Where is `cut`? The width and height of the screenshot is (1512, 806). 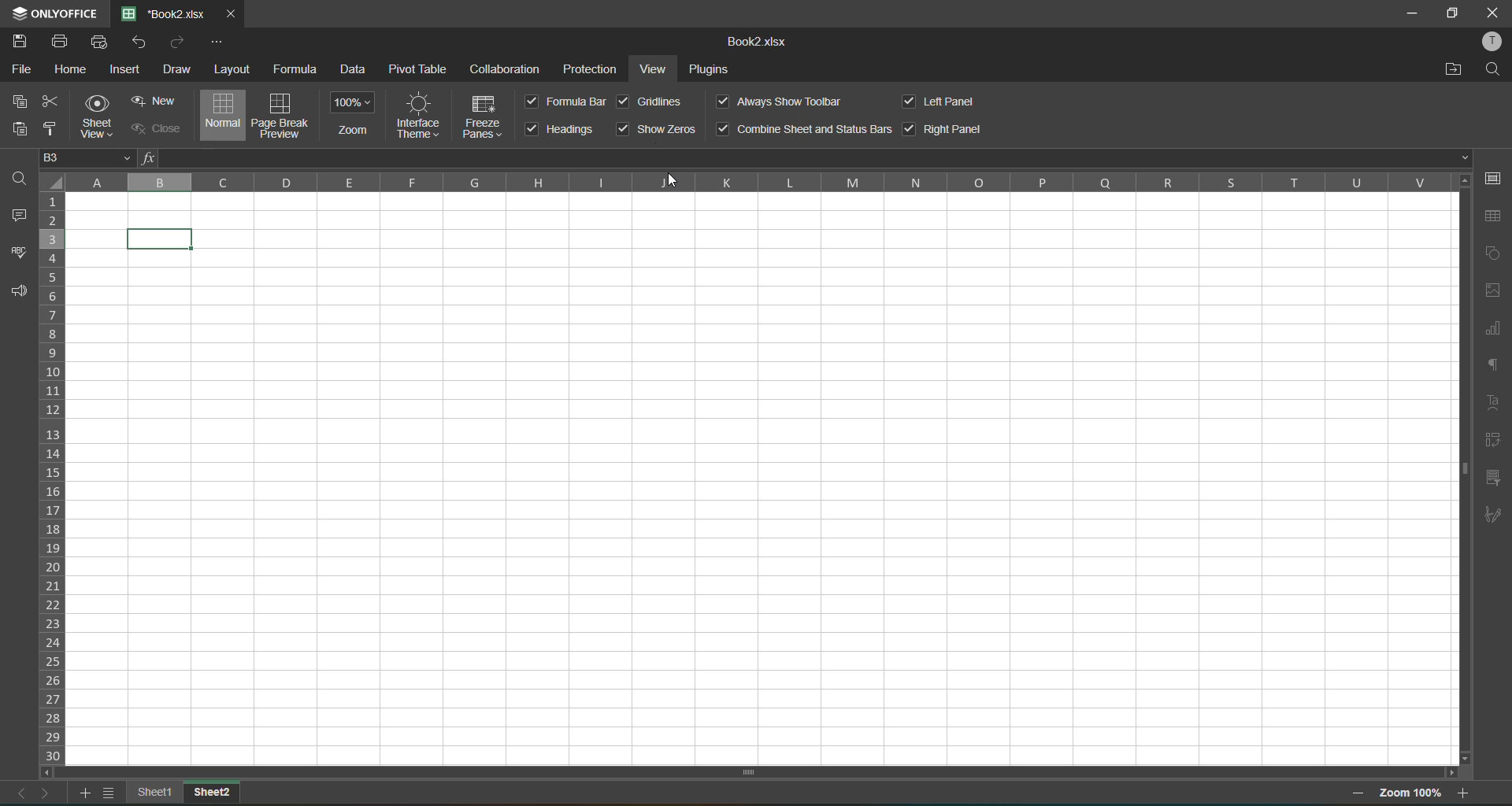
cut is located at coordinates (55, 102).